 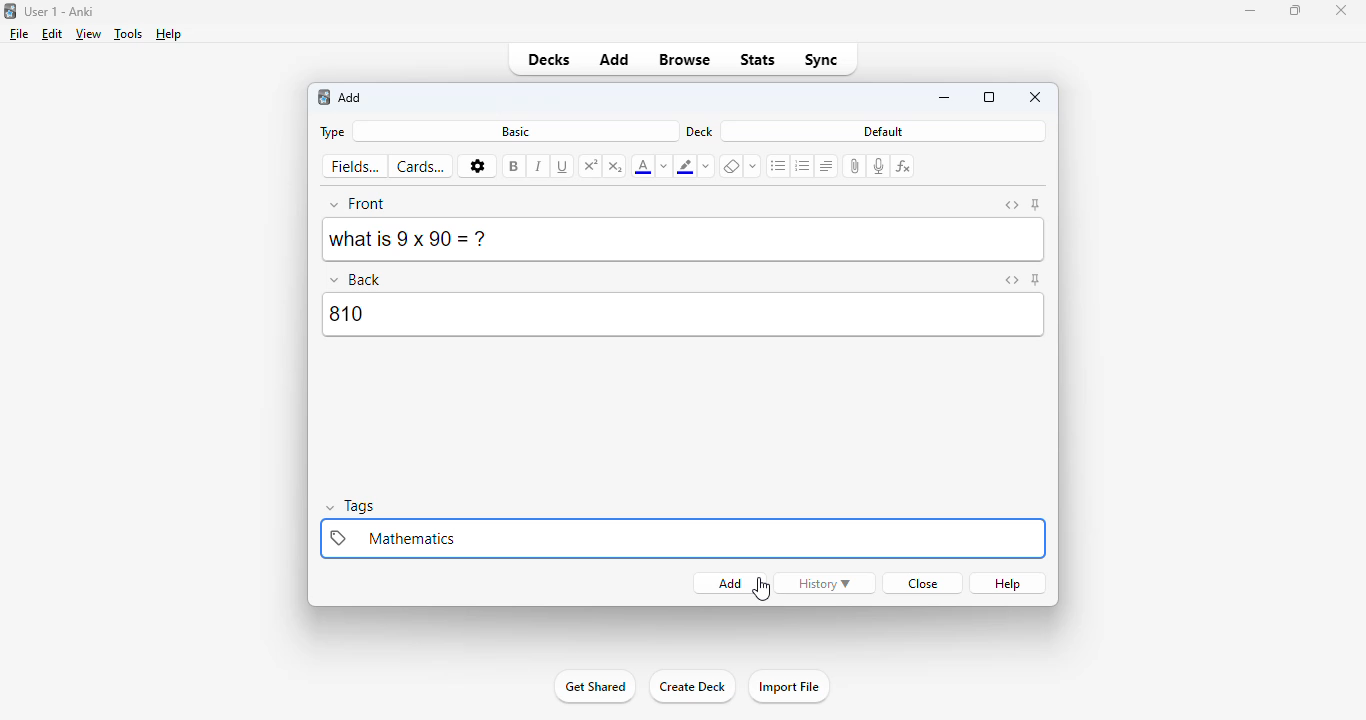 I want to click on minimize, so click(x=946, y=99).